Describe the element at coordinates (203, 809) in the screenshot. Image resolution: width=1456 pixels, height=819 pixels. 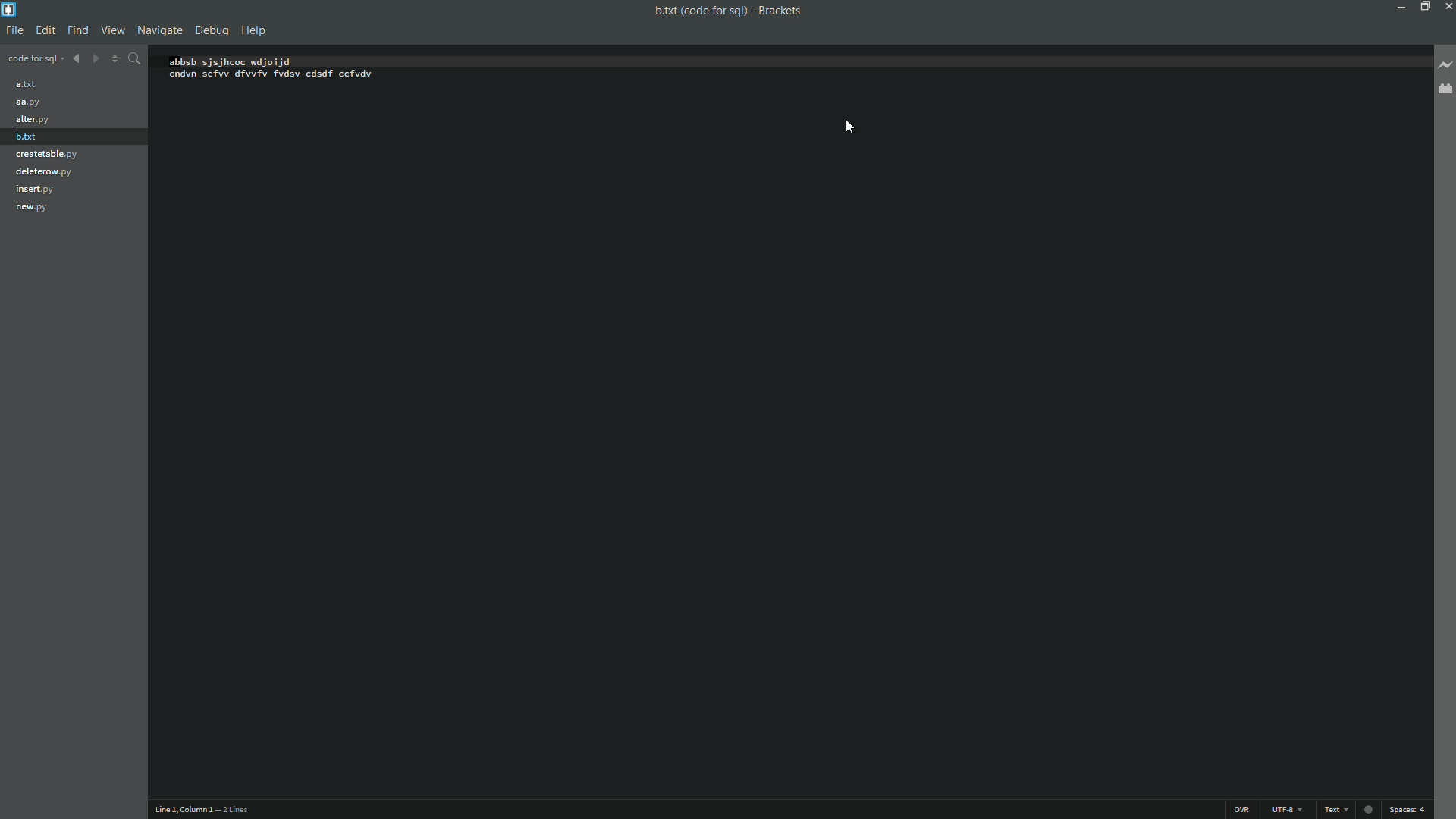
I see `Line 1 , column 1 - 2 lines` at that location.